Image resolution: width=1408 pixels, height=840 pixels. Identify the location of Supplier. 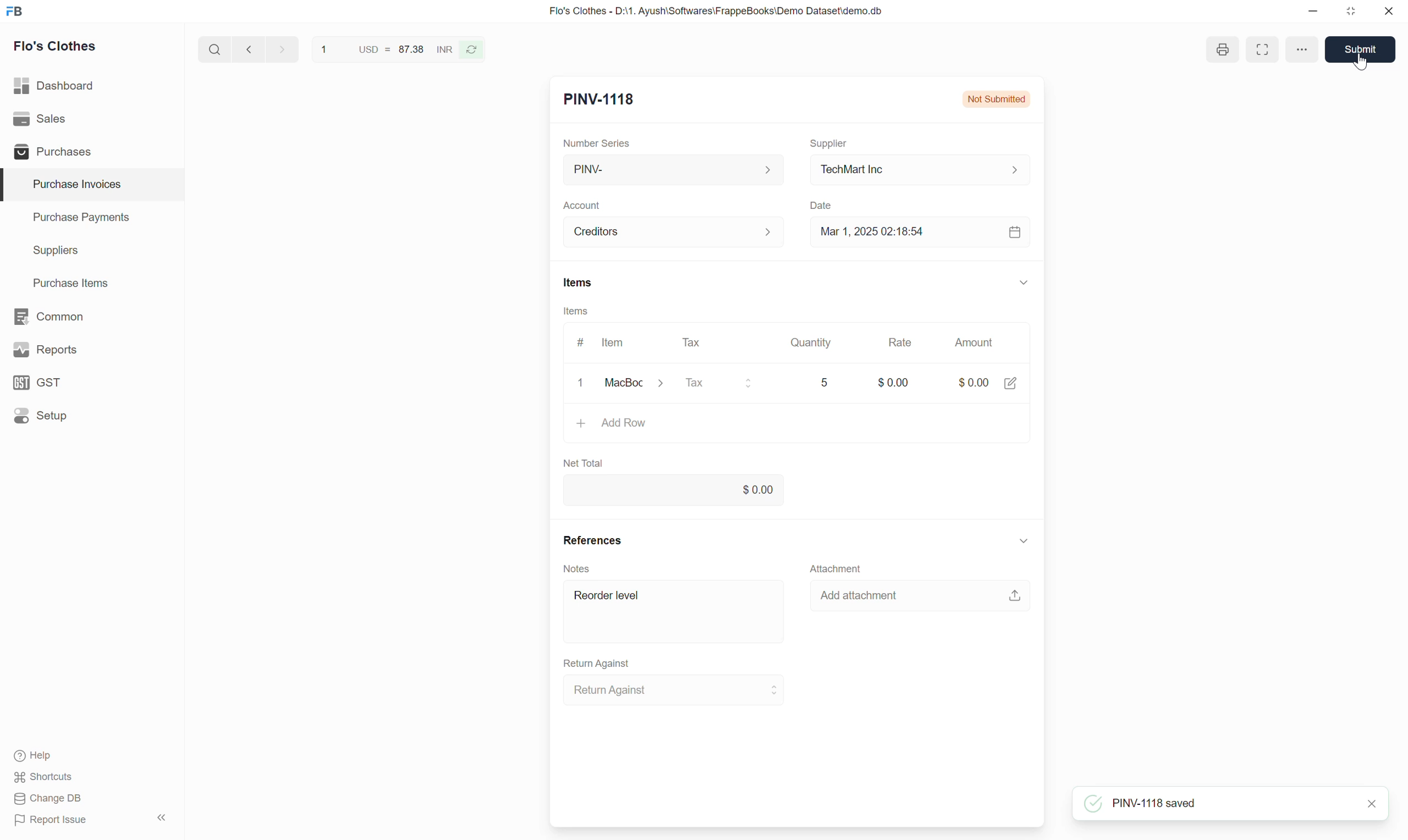
(829, 144).